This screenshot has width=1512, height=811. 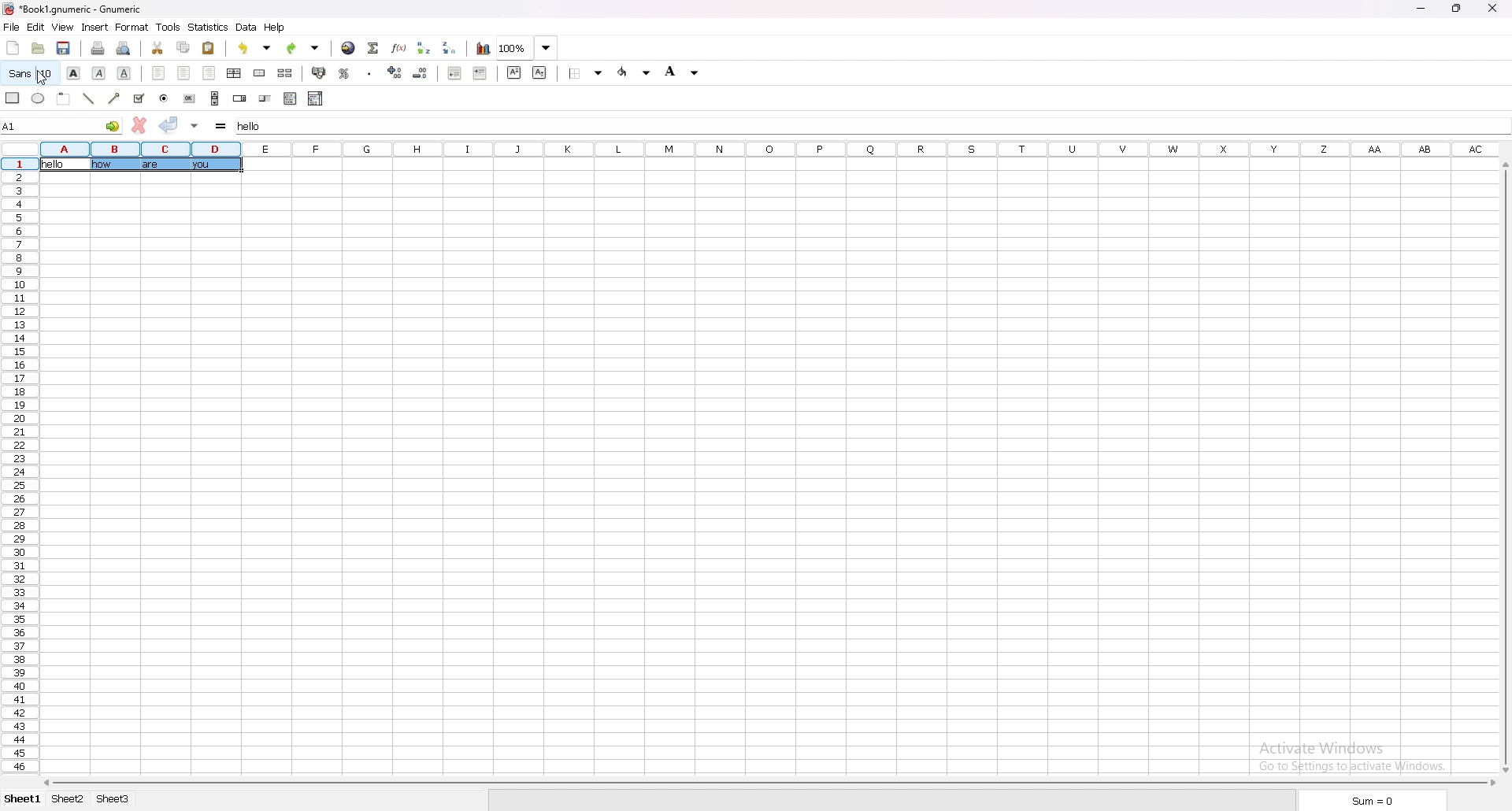 What do you see at coordinates (246, 28) in the screenshot?
I see `data` at bounding box center [246, 28].